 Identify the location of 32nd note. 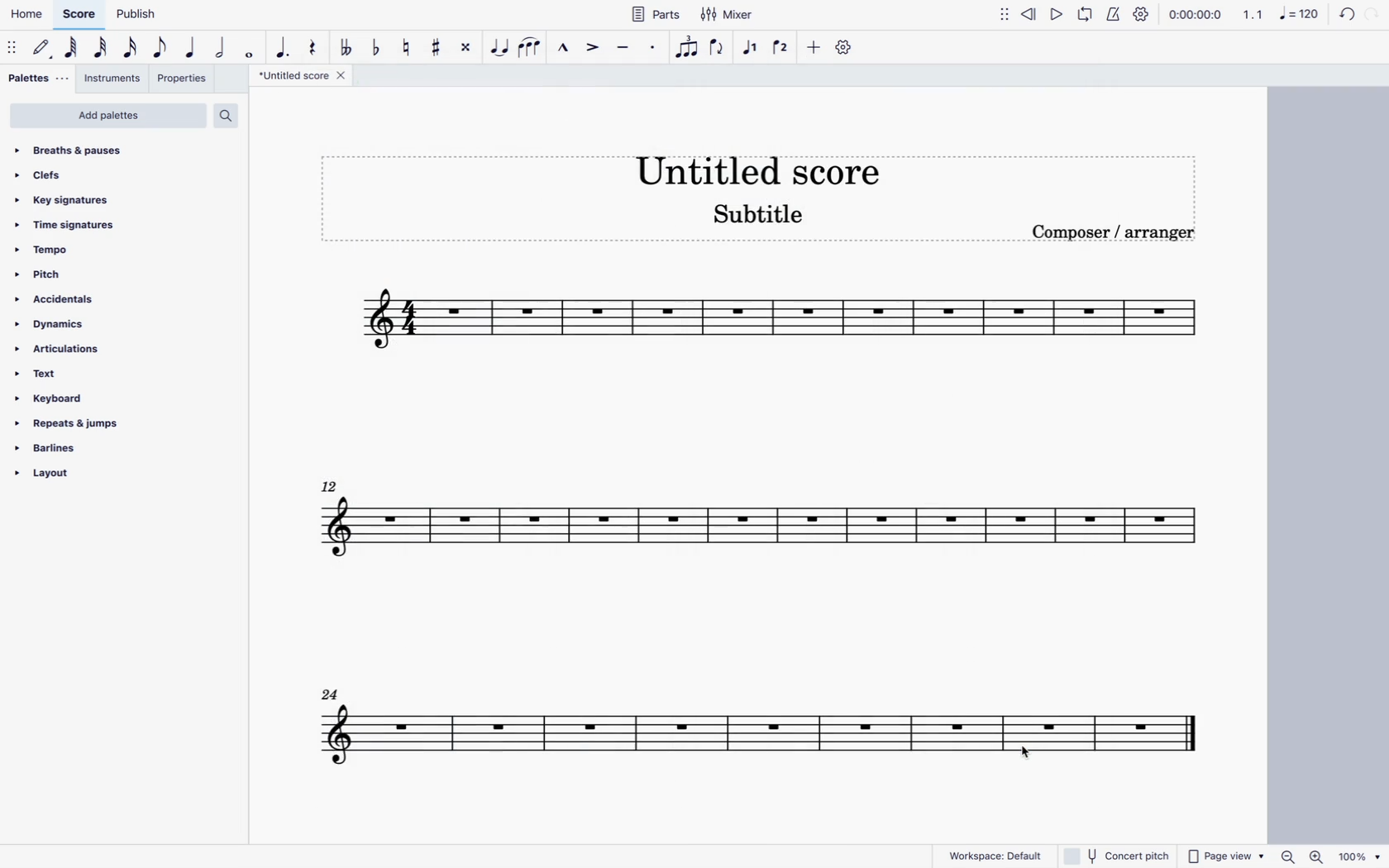
(102, 51).